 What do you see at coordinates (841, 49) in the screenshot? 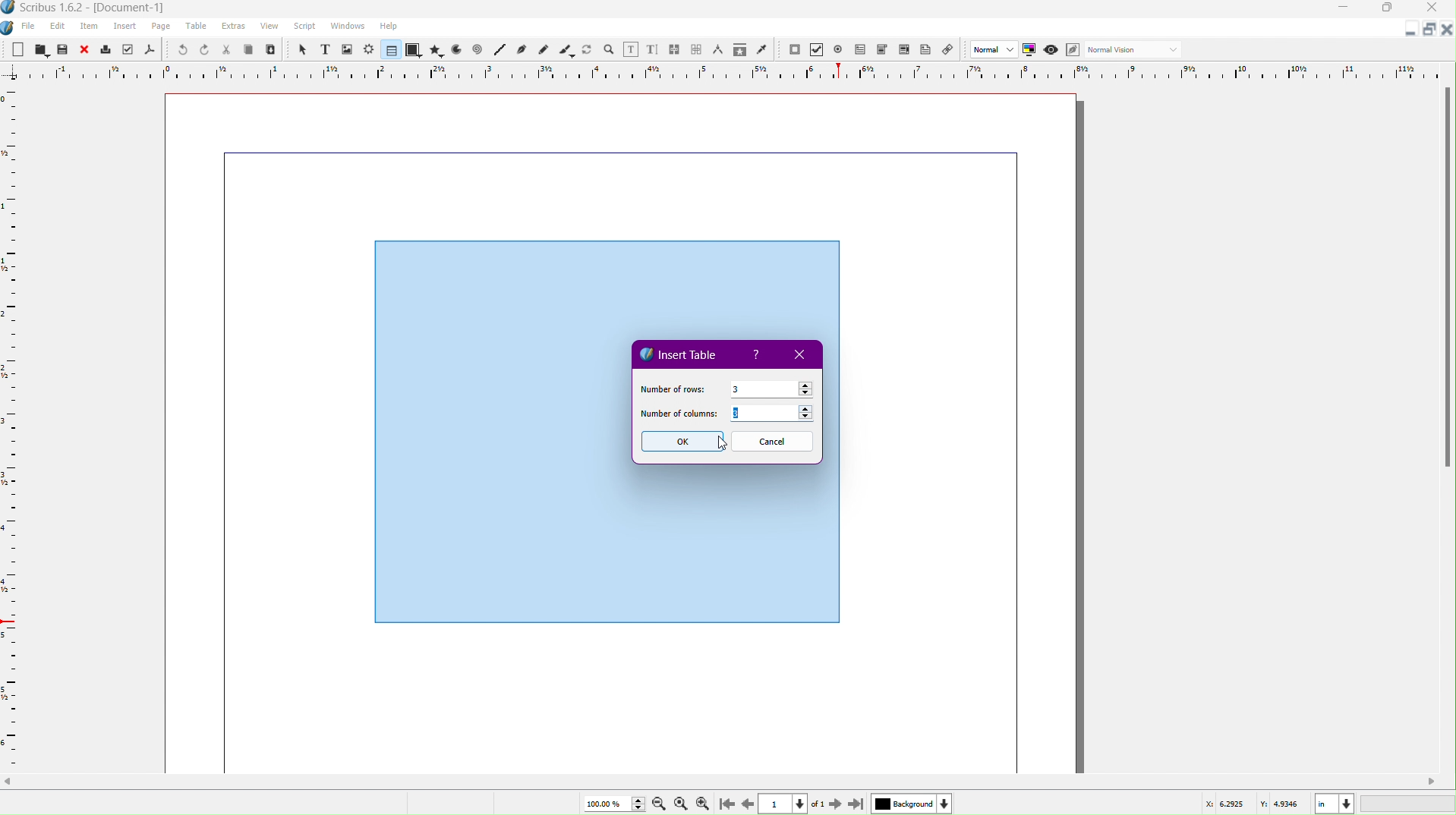
I see `PDF Radio Button` at bounding box center [841, 49].